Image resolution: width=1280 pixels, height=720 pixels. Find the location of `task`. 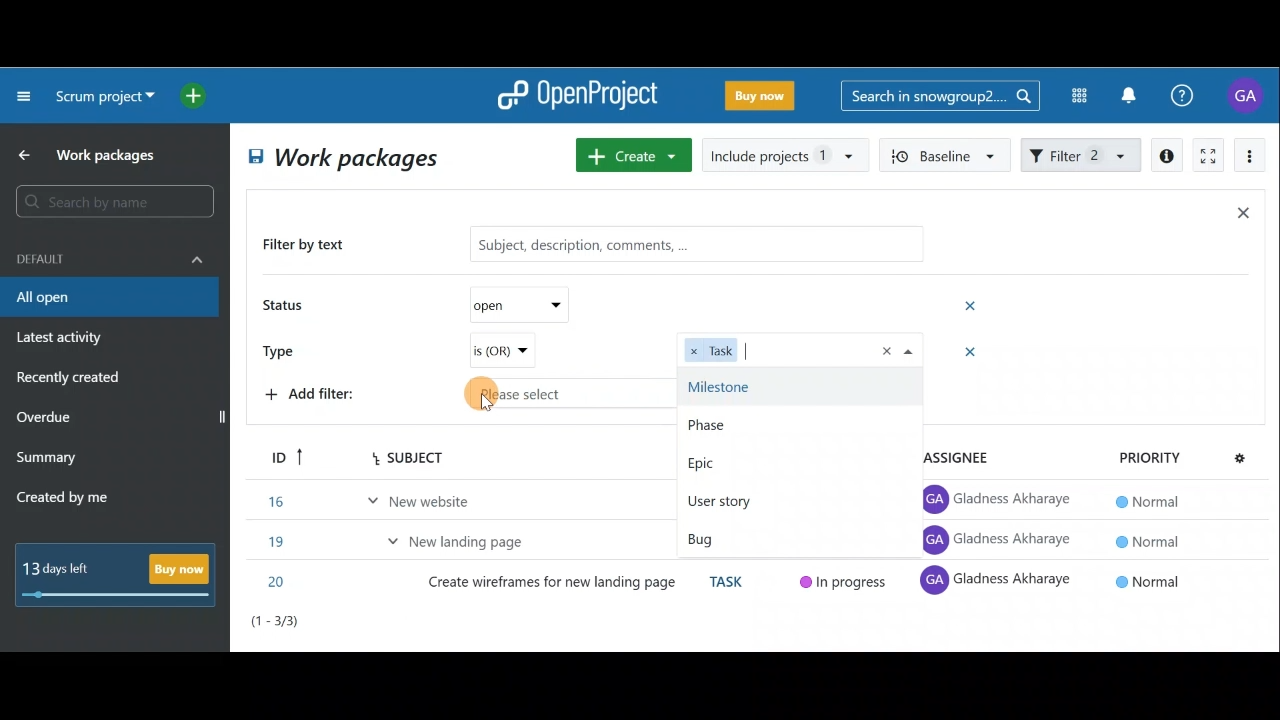

task is located at coordinates (733, 581).